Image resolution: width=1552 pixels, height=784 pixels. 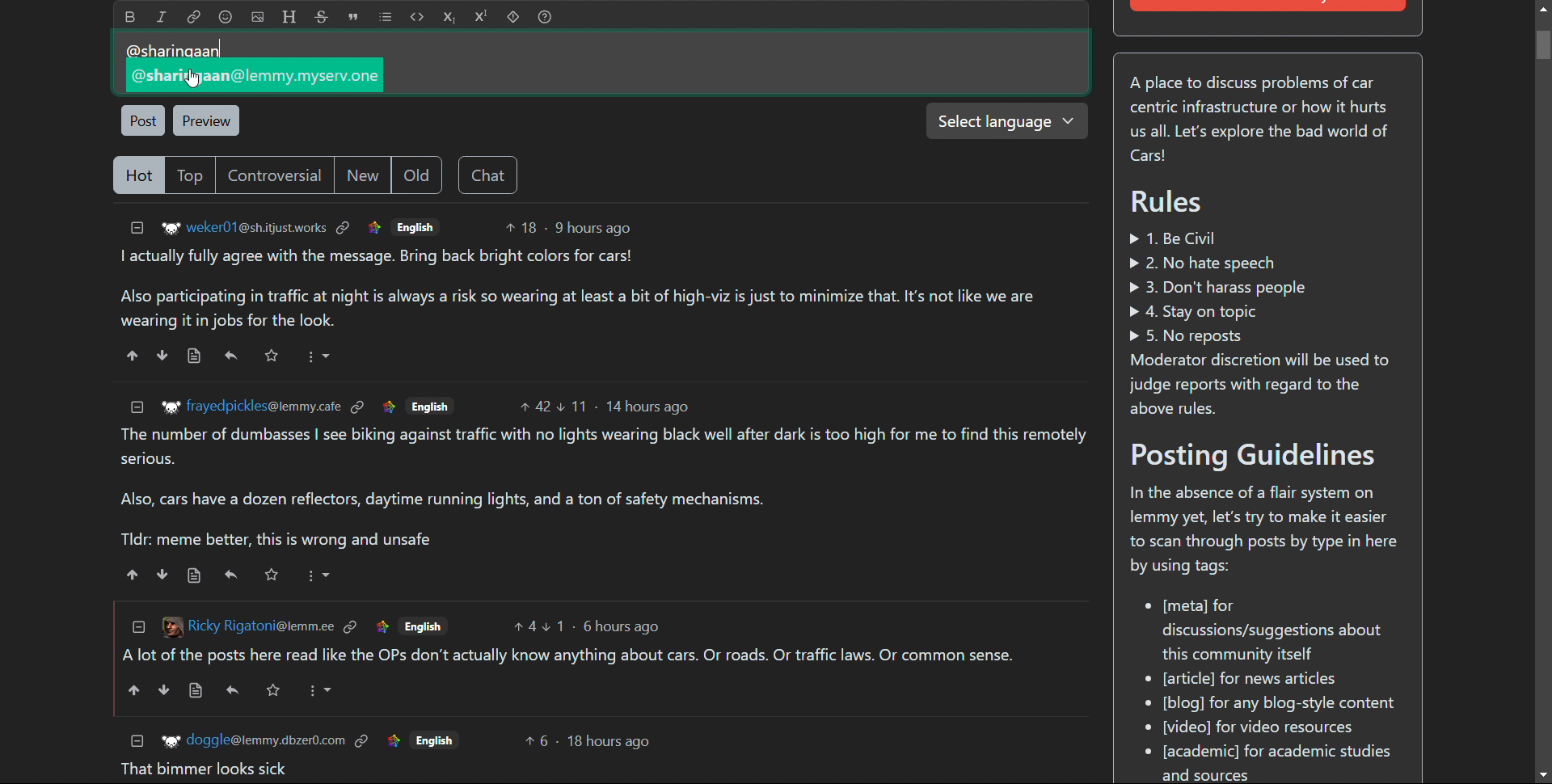 What do you see at coordinates (226, 17) in the screenshot?
I see `emoji` at bounding box center [226, 17].